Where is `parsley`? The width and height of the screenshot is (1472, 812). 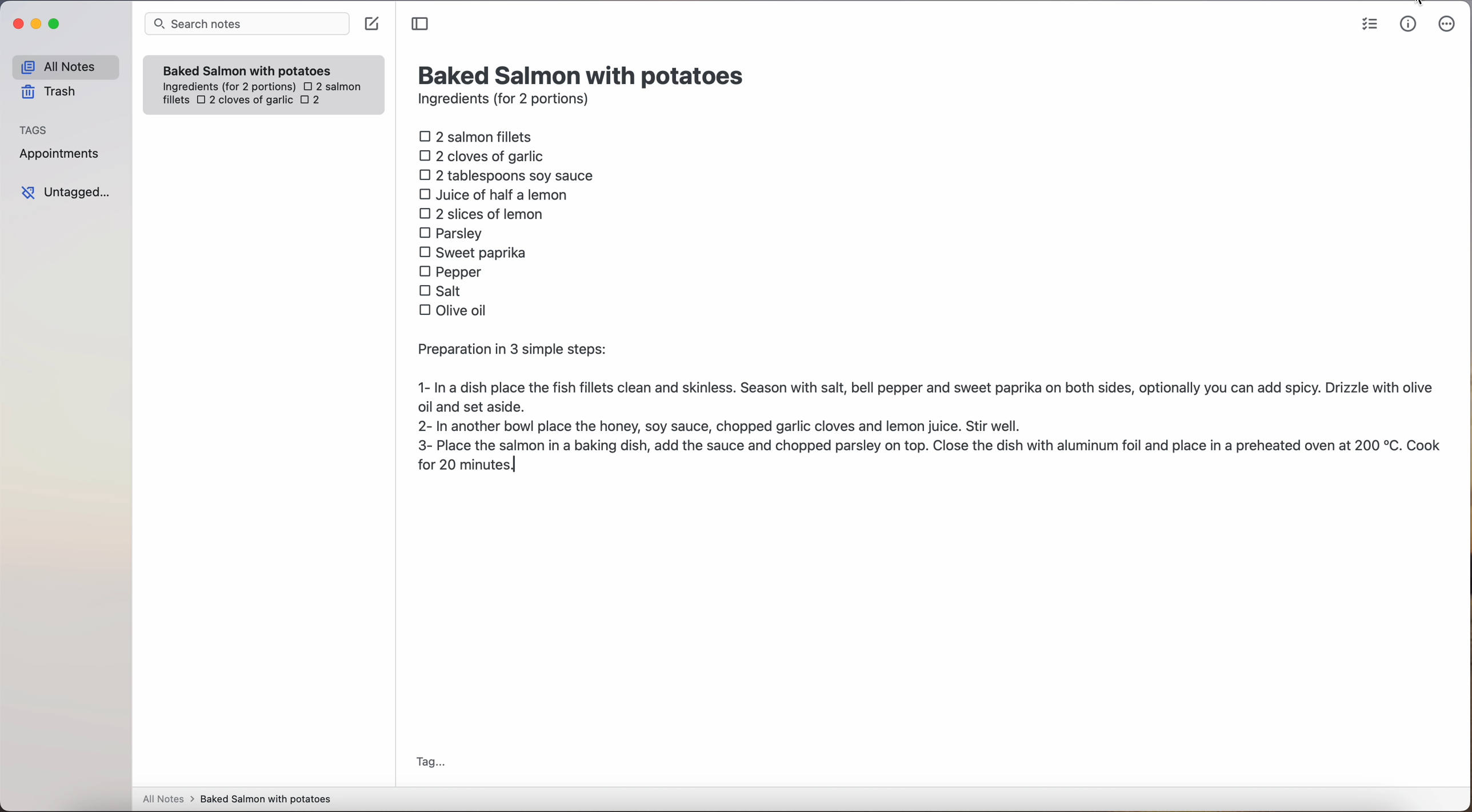 parsley is located at coordinates (451, 232).